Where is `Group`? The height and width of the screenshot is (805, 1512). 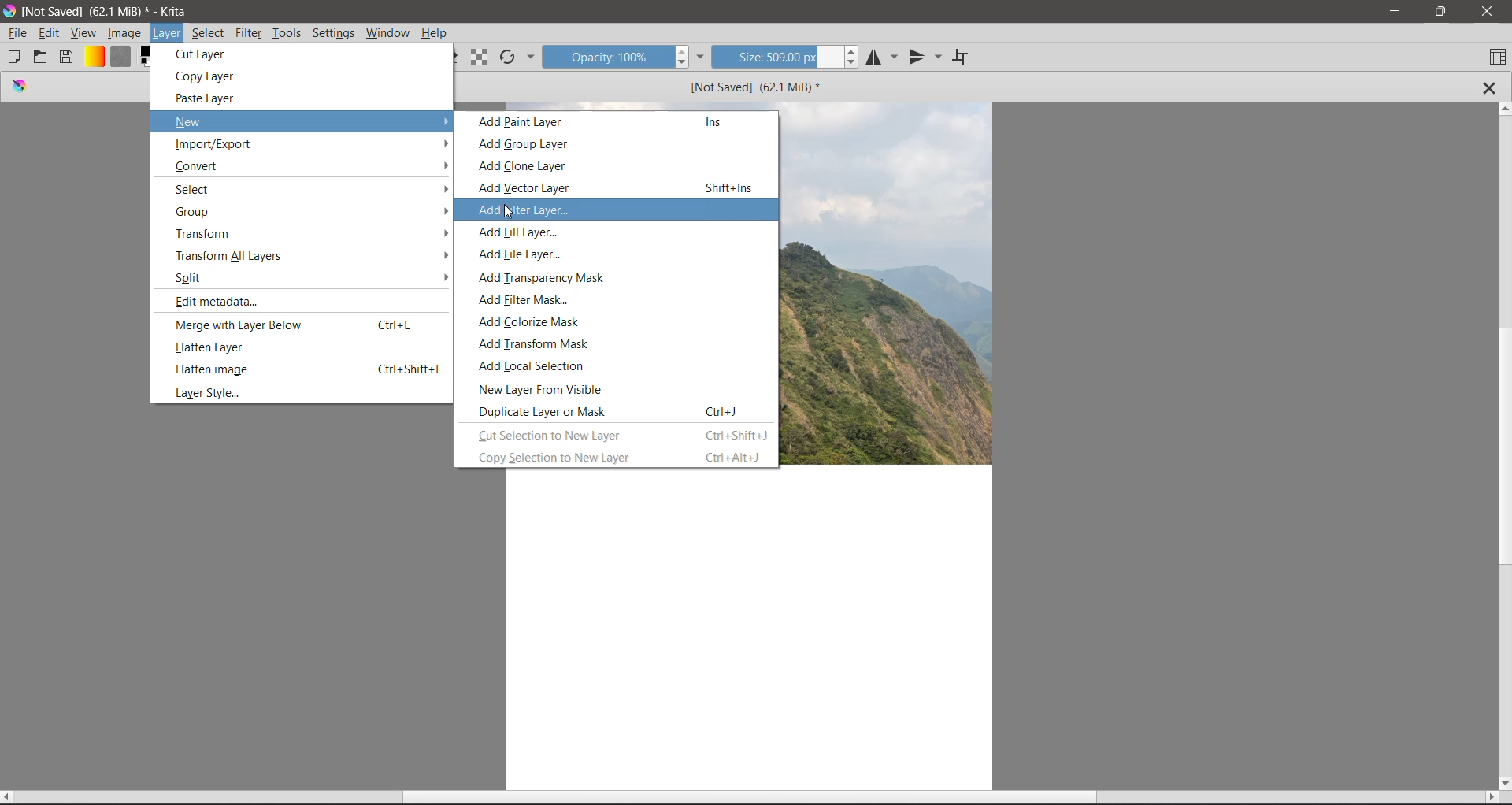
Group is located at coordinates (311, 213).